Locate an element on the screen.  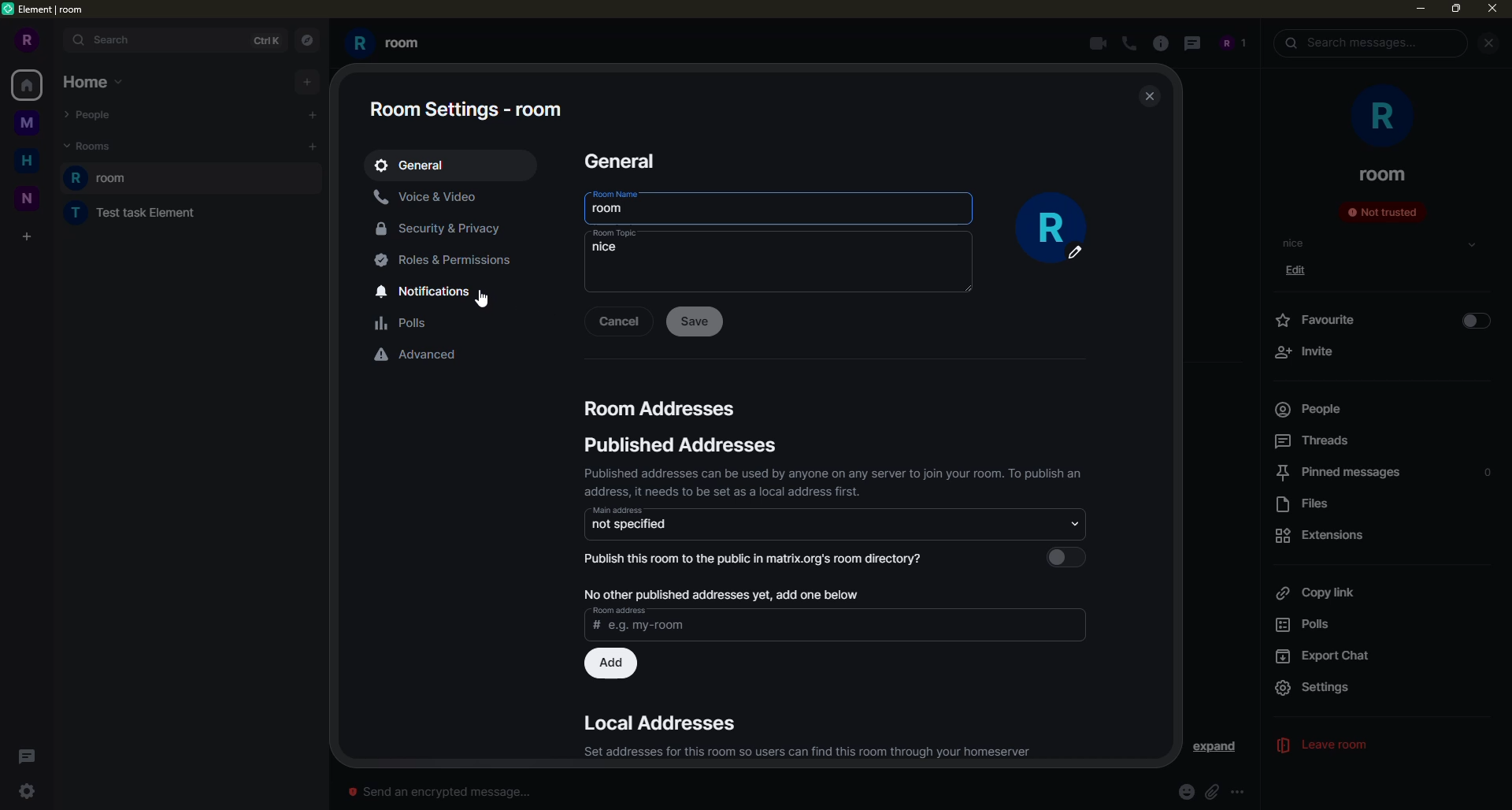
N is located at coordinates (28, 199).